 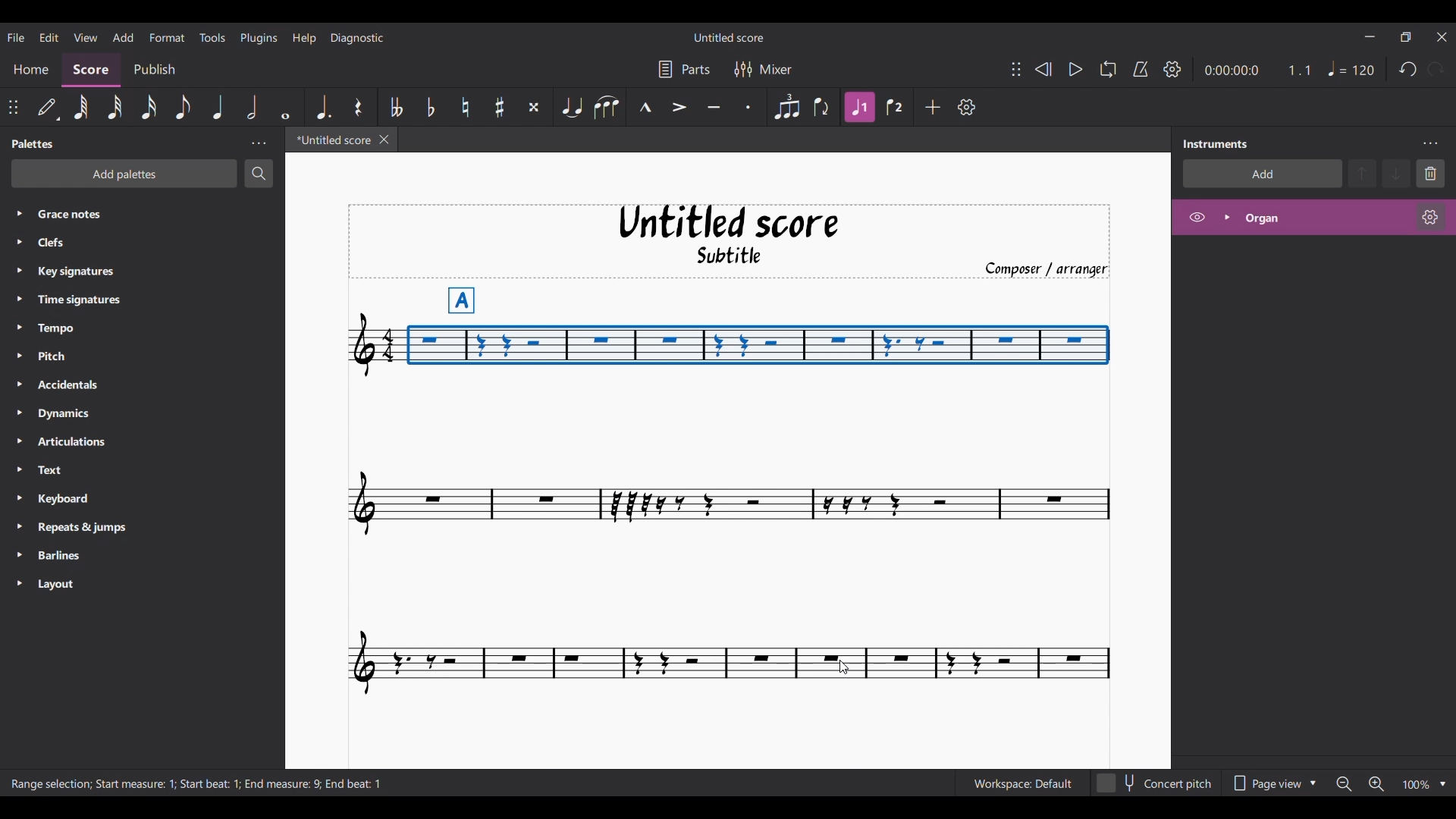 I want to click on Marcato, so click(x=645, y=106).